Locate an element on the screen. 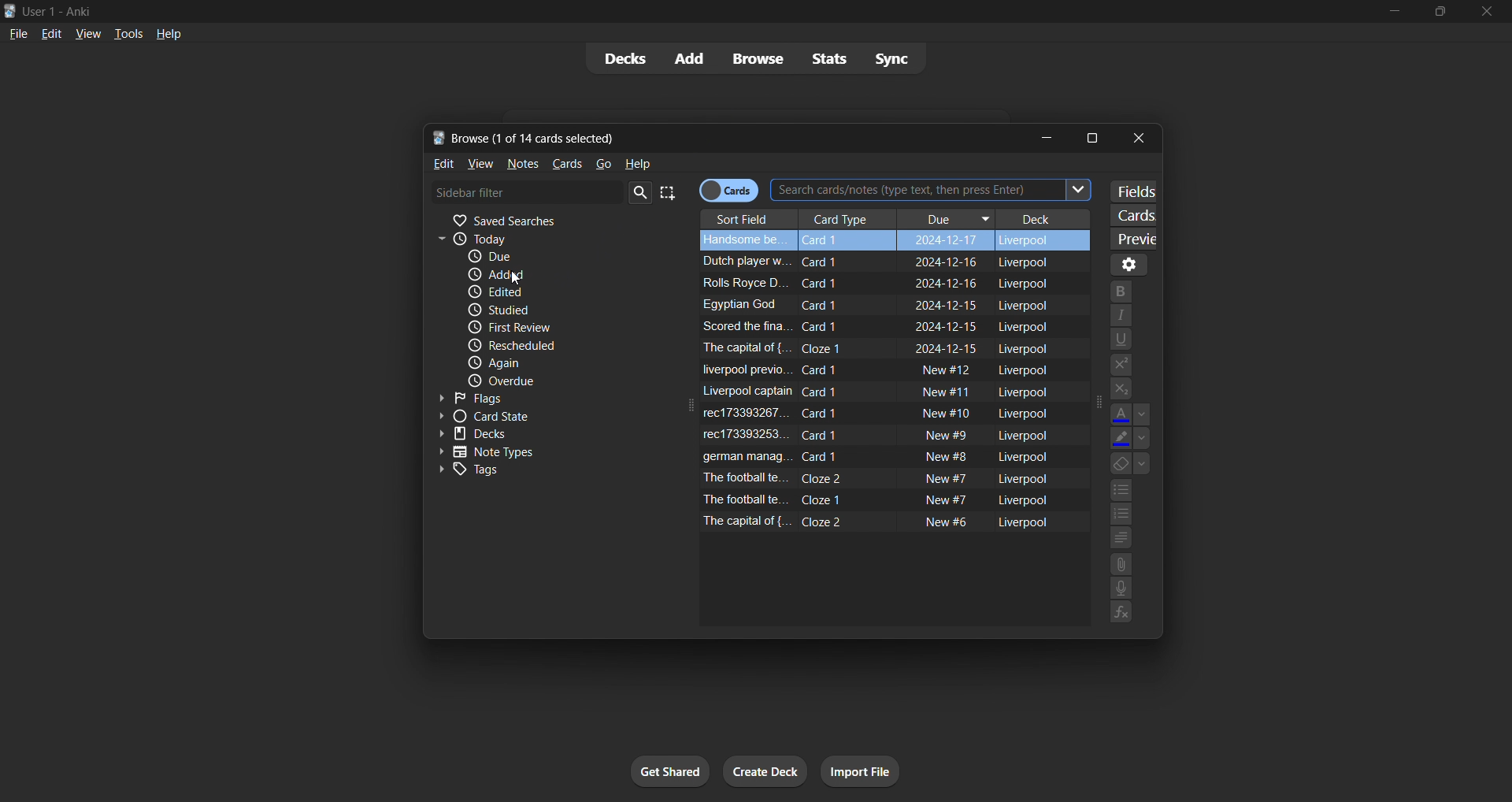 This screenshot has height=802, width=1512. browse tab title is located at coordinates (713, 136).